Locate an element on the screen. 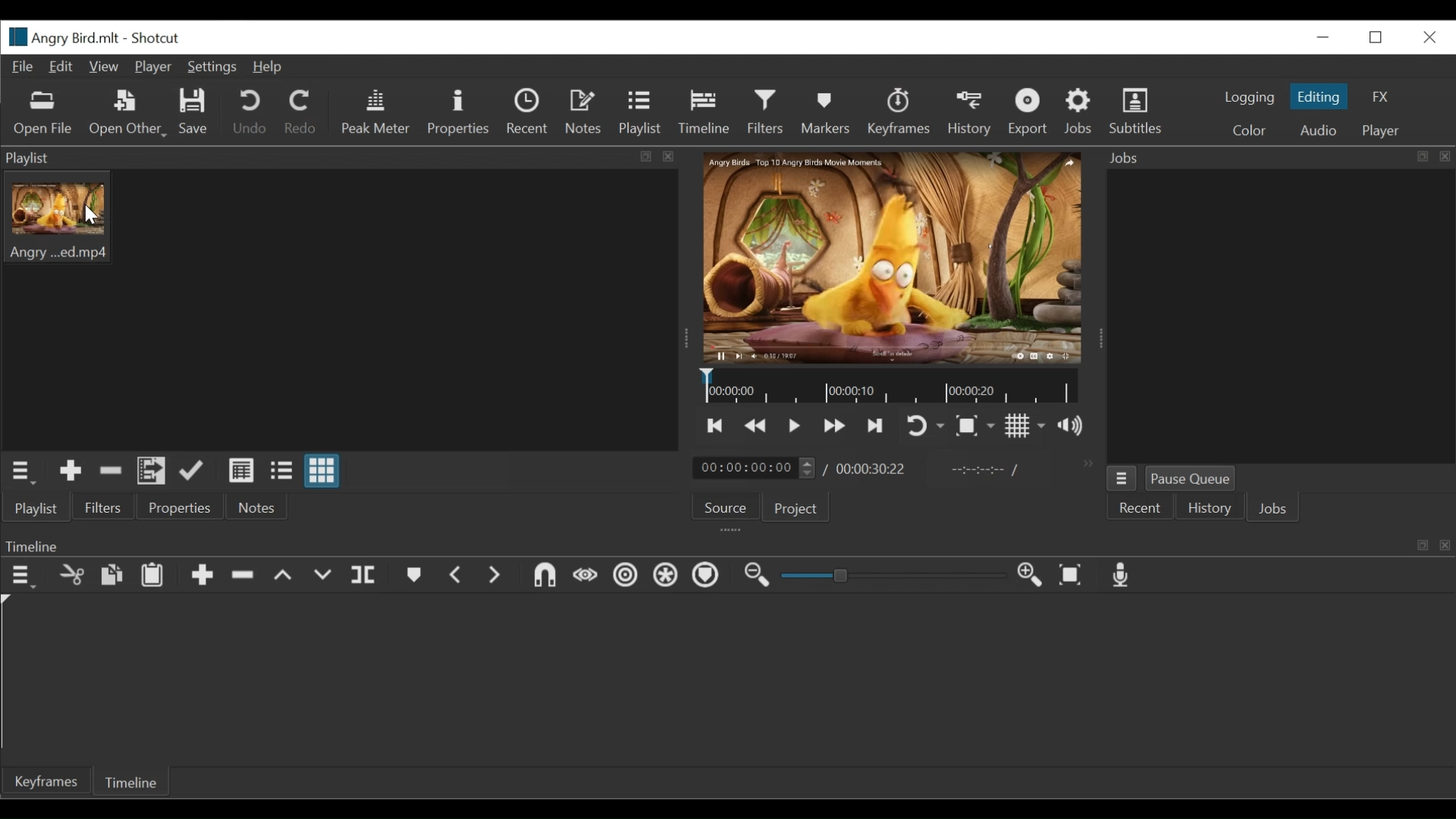 The height and width of the screenshot is (819, 1456). Shotcut is located at coordinates (157, 39).